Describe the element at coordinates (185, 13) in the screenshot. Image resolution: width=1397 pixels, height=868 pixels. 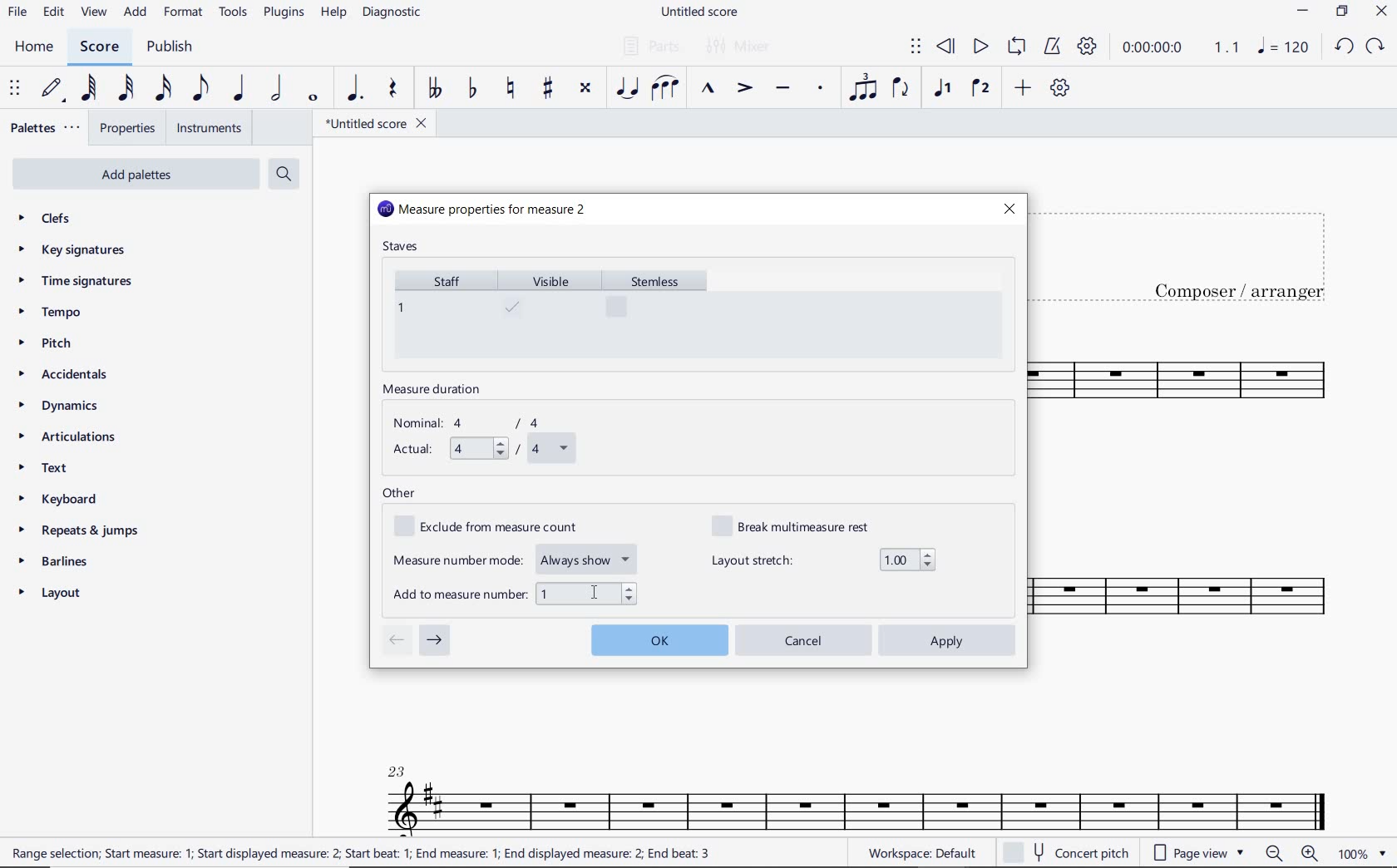
I see `FORMAT` at that location.